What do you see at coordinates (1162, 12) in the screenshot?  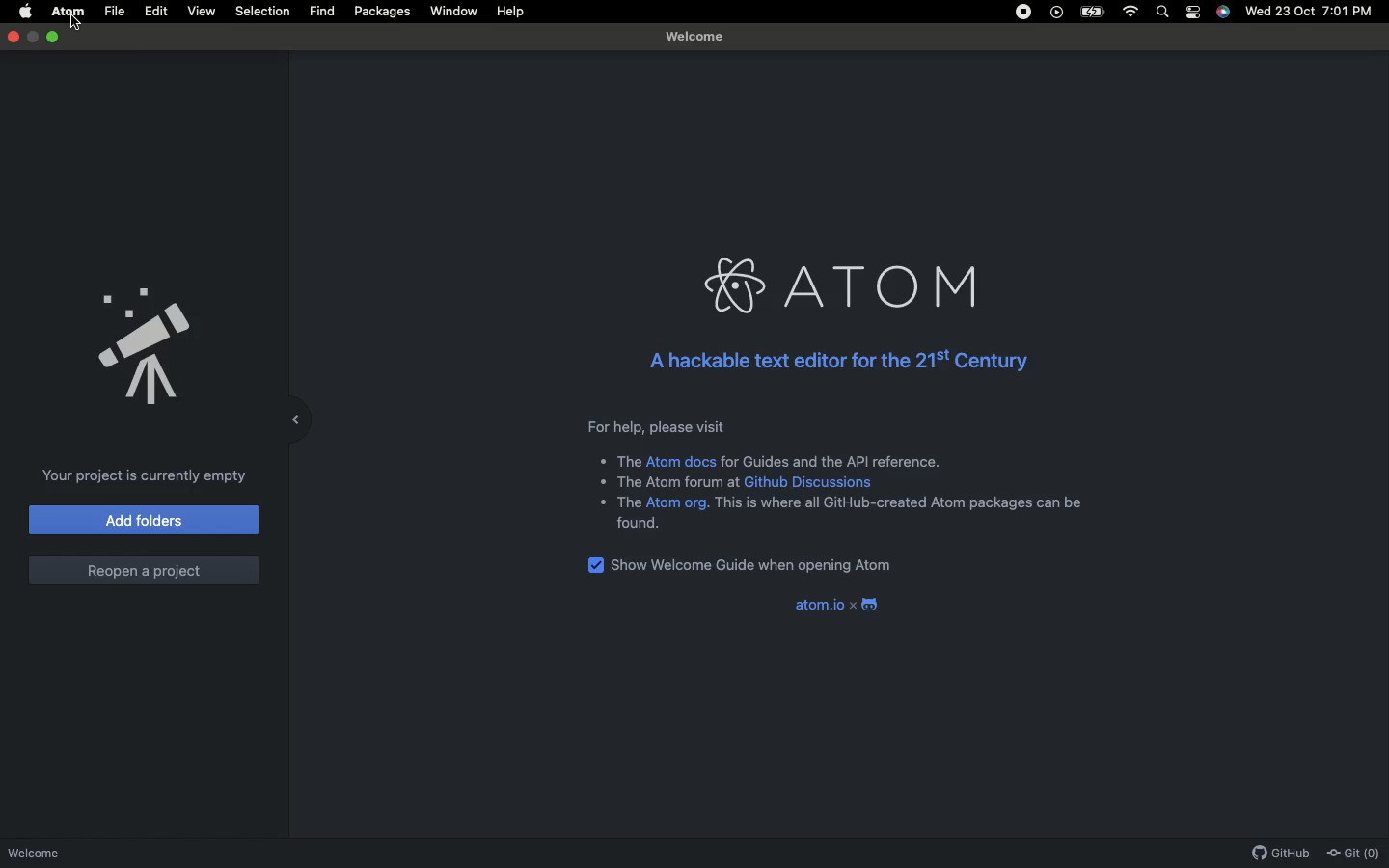 I see `Search` at bounding box center [1162, 12].